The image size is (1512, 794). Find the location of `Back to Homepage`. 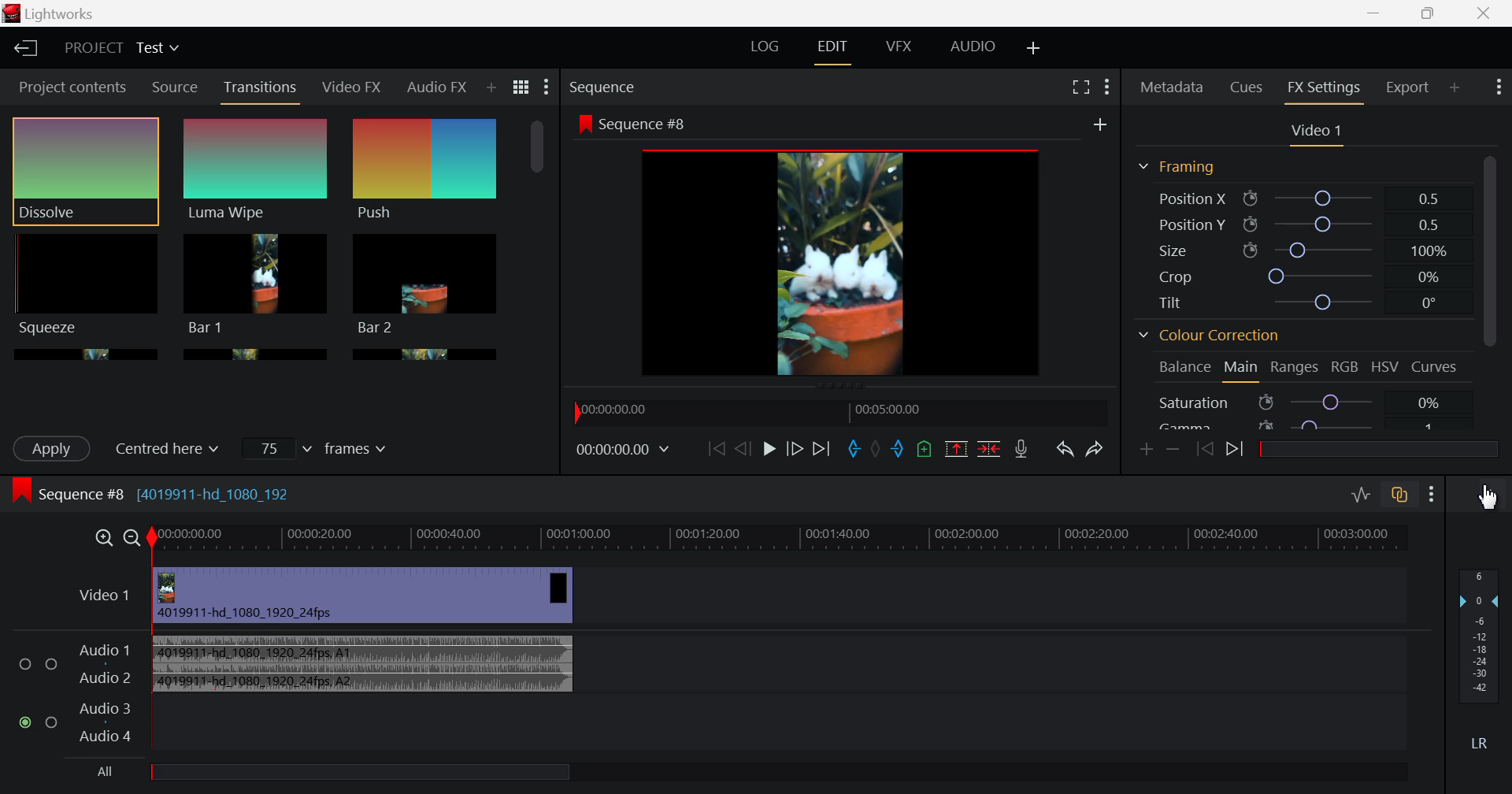

Back to Homepage is located at coordinates (23, 46).